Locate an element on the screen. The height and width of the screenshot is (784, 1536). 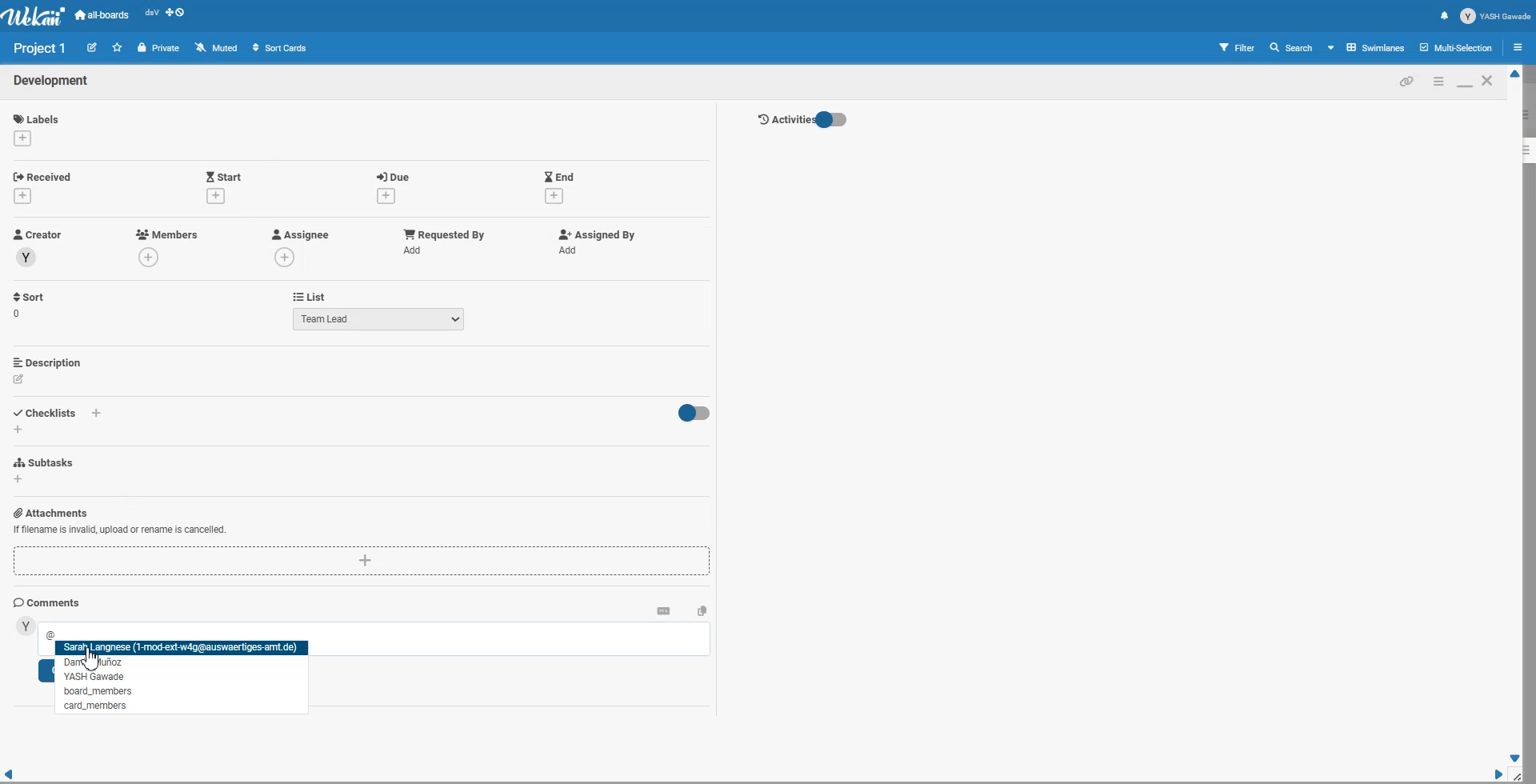
tag People is located at coordinates (96, 677).